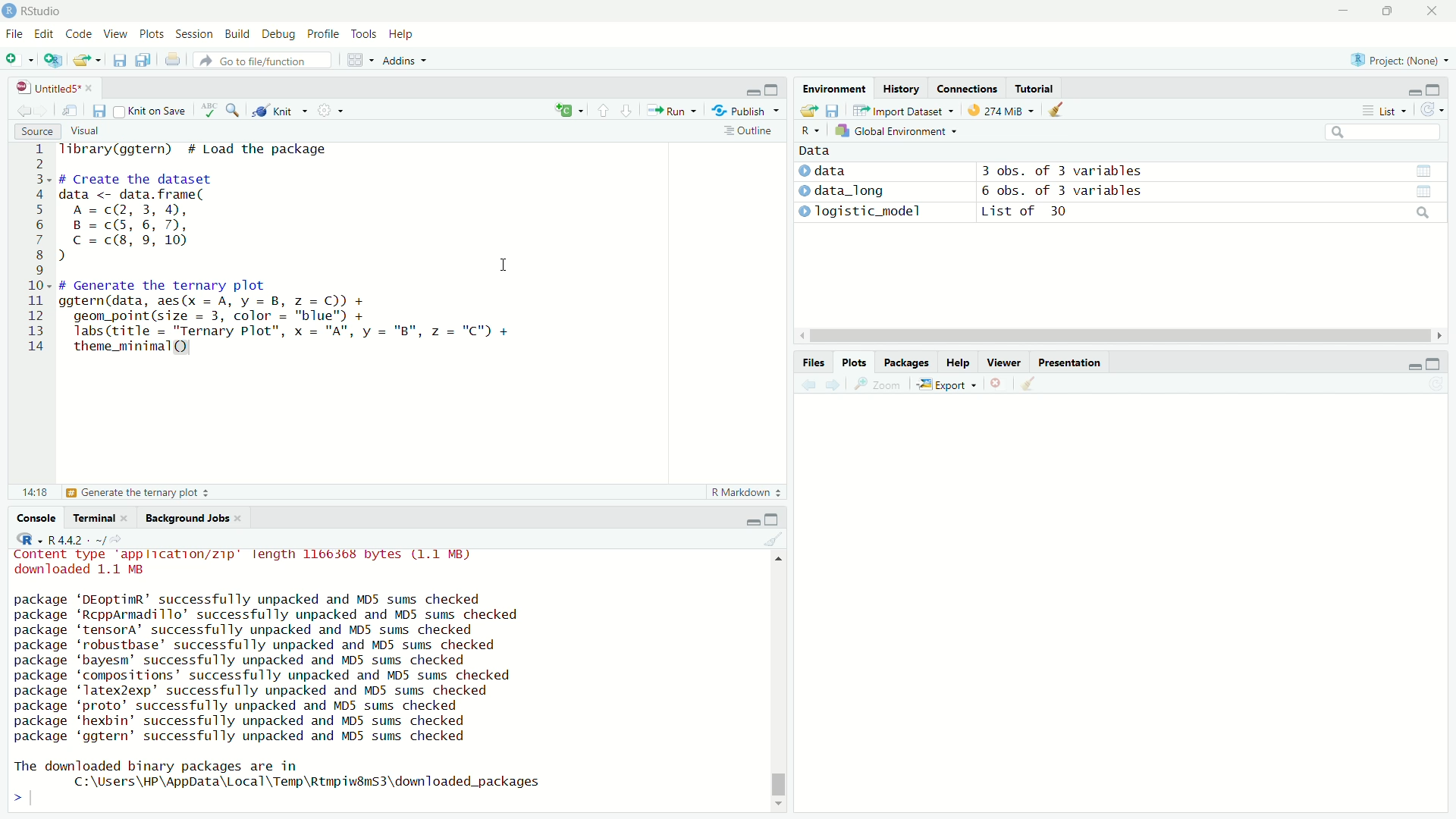  I want to click on export, so click(89, 61).